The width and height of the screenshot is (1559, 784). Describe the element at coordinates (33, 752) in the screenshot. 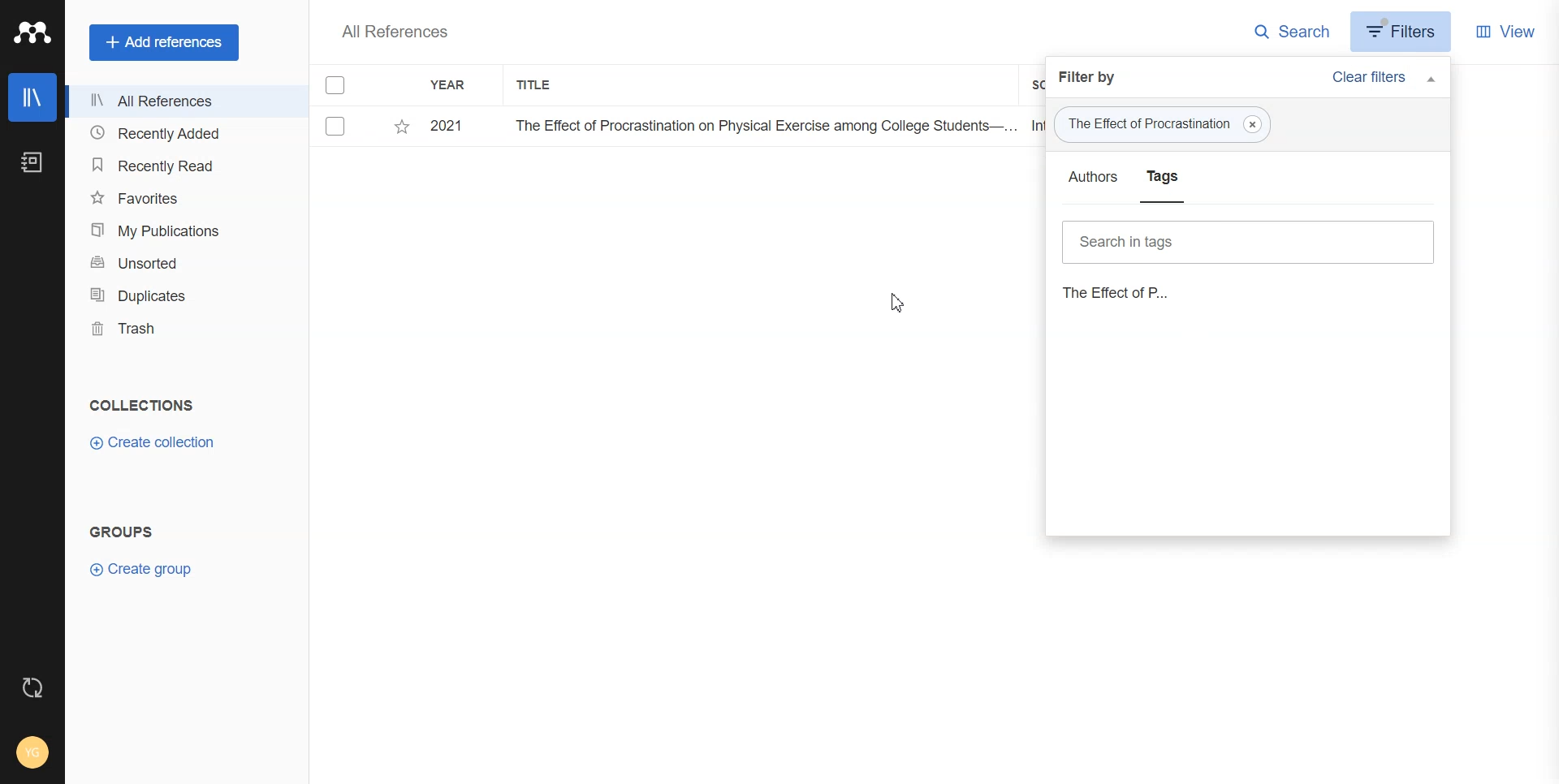

I see `Account` at that location.